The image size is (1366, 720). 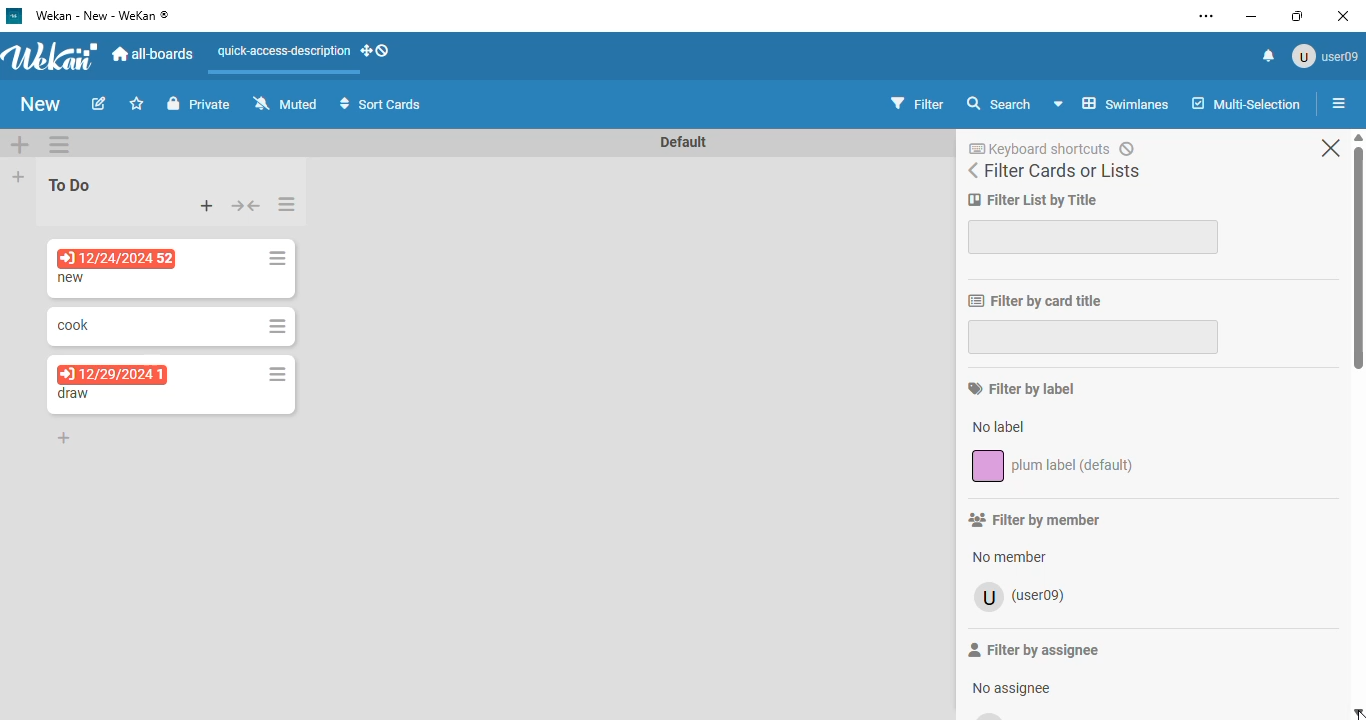 What do you see at coordinates (1252, 16) in the screenshot?
I see `minimize` at bounding box center [1252, 16].